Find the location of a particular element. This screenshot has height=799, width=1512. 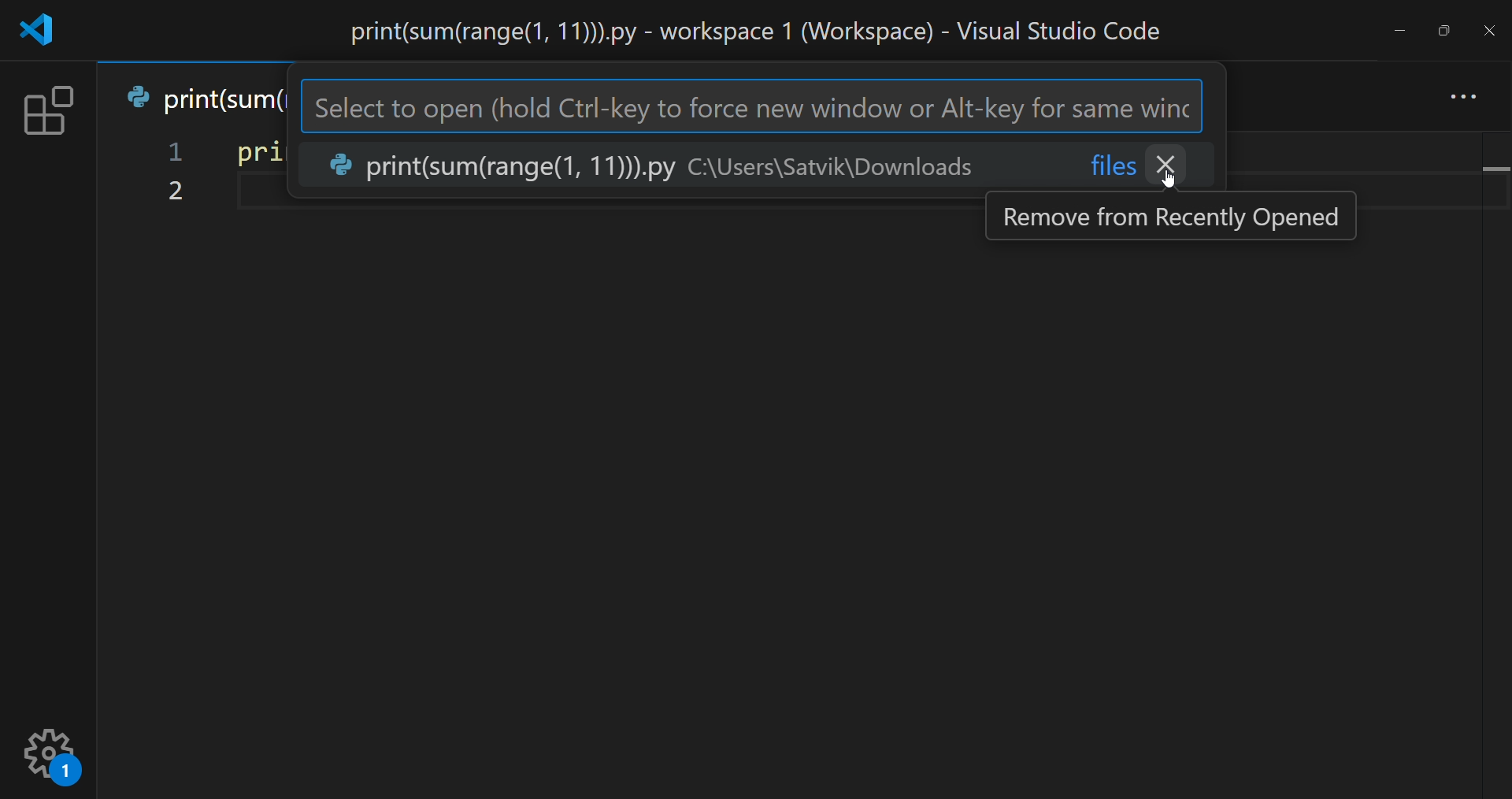

extension is located at coordinates (48, 109).